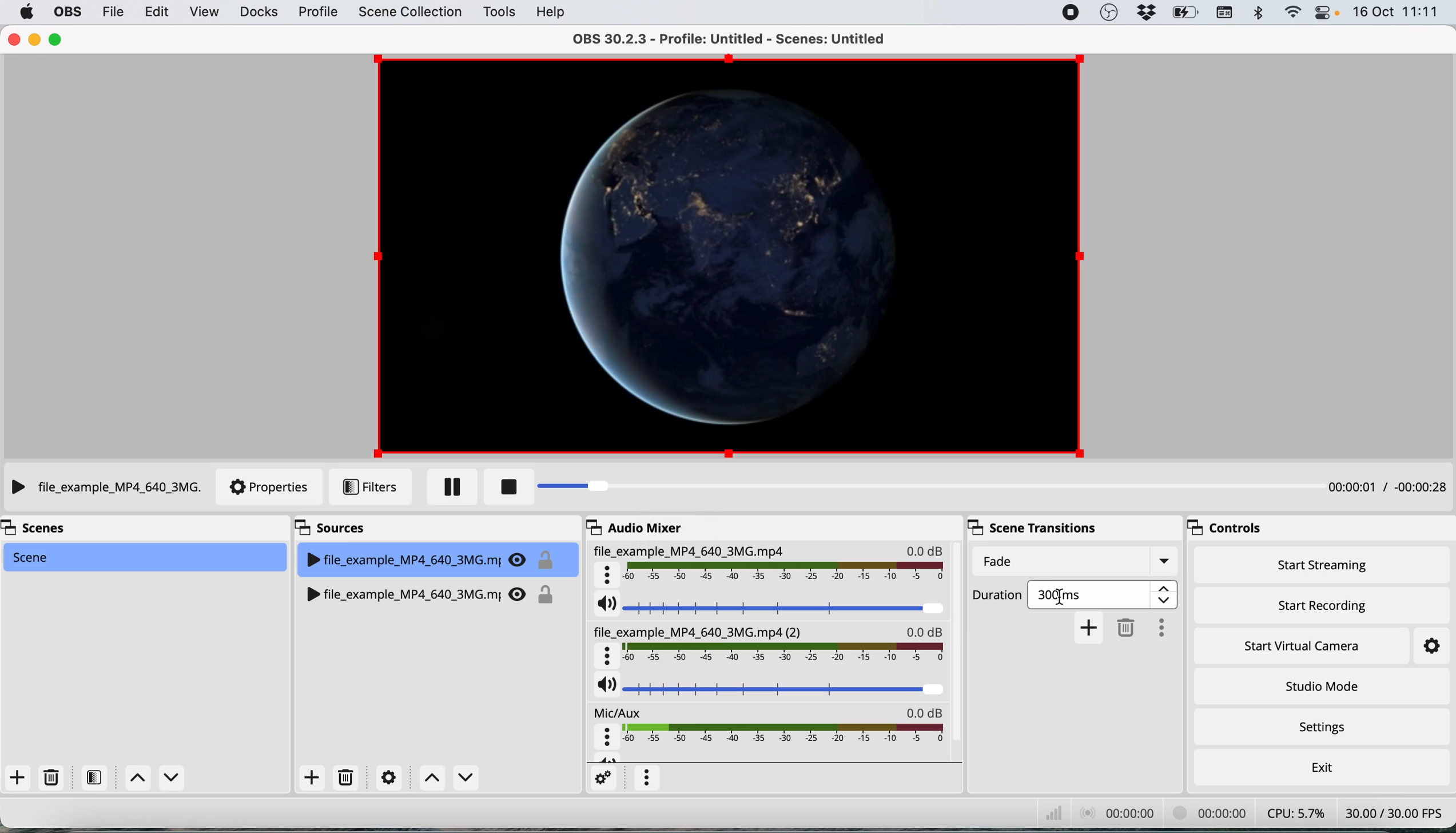 The image size is (1456, 833). What do you see at coordinates (1320, 727) in the screenshot?
I see `settings` at bounding box center [1320, 727].